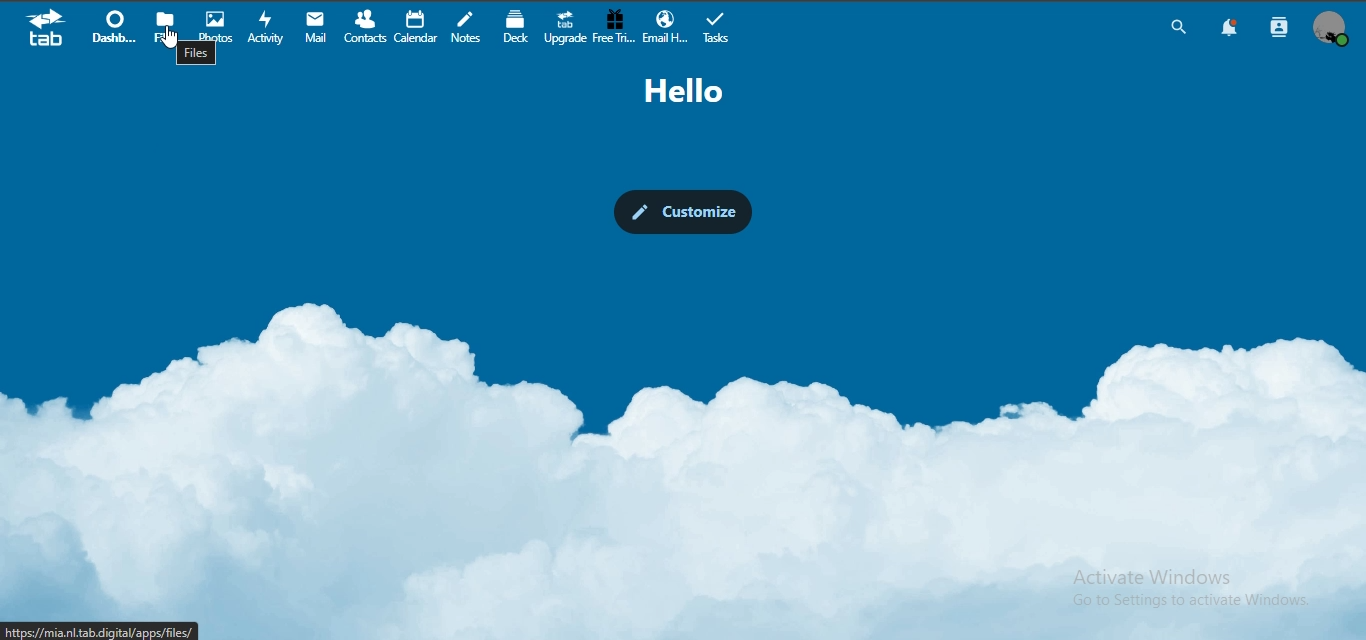 Image resolution: width=1366 pixels, height=640 pixels. What do you see at coordinates (1231, 29) in the screenshot?
I see `notifications` at bounding box center [1231, 29].